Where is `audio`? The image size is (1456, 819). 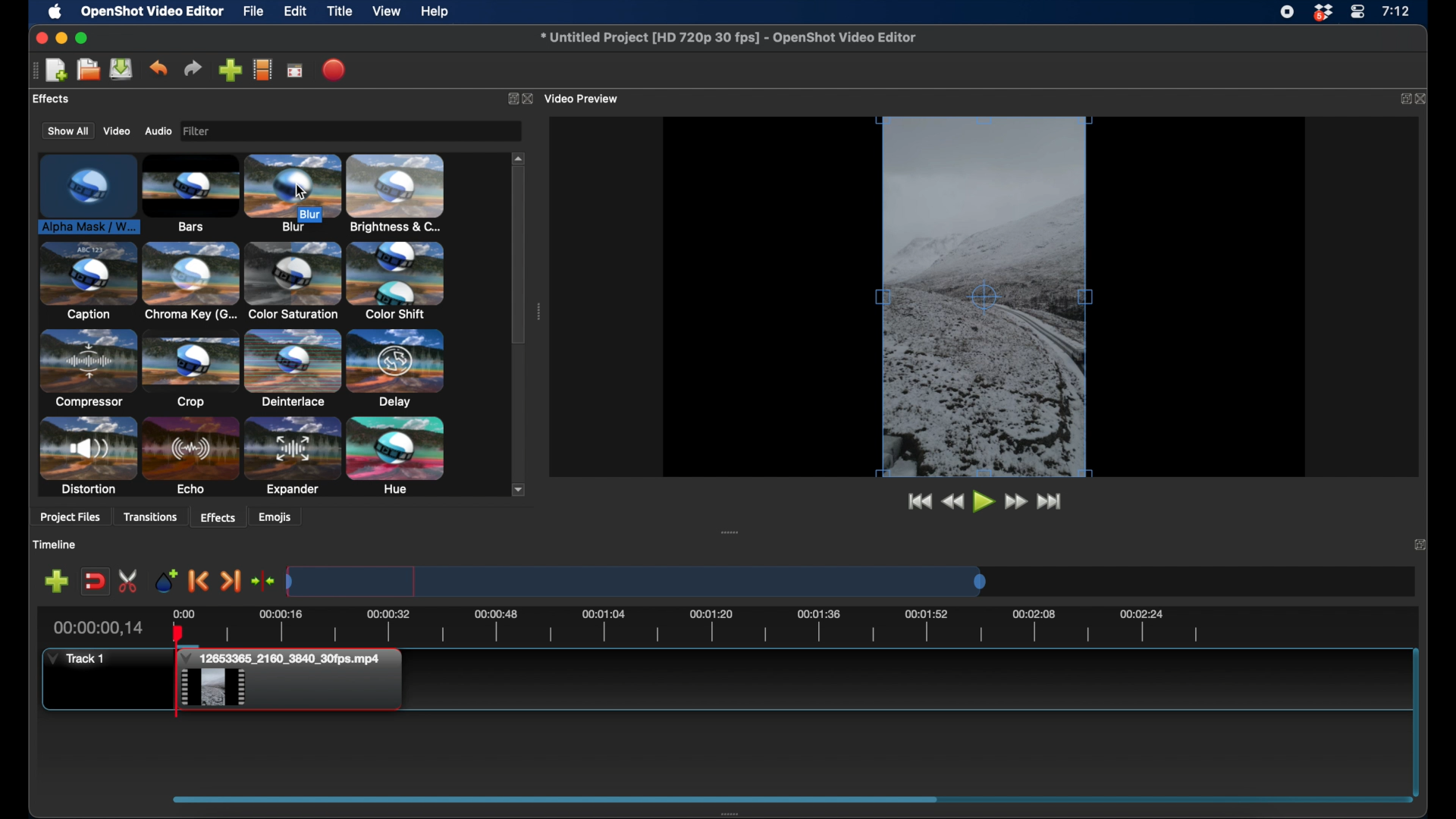 audio is located at coordinates (158, 131).